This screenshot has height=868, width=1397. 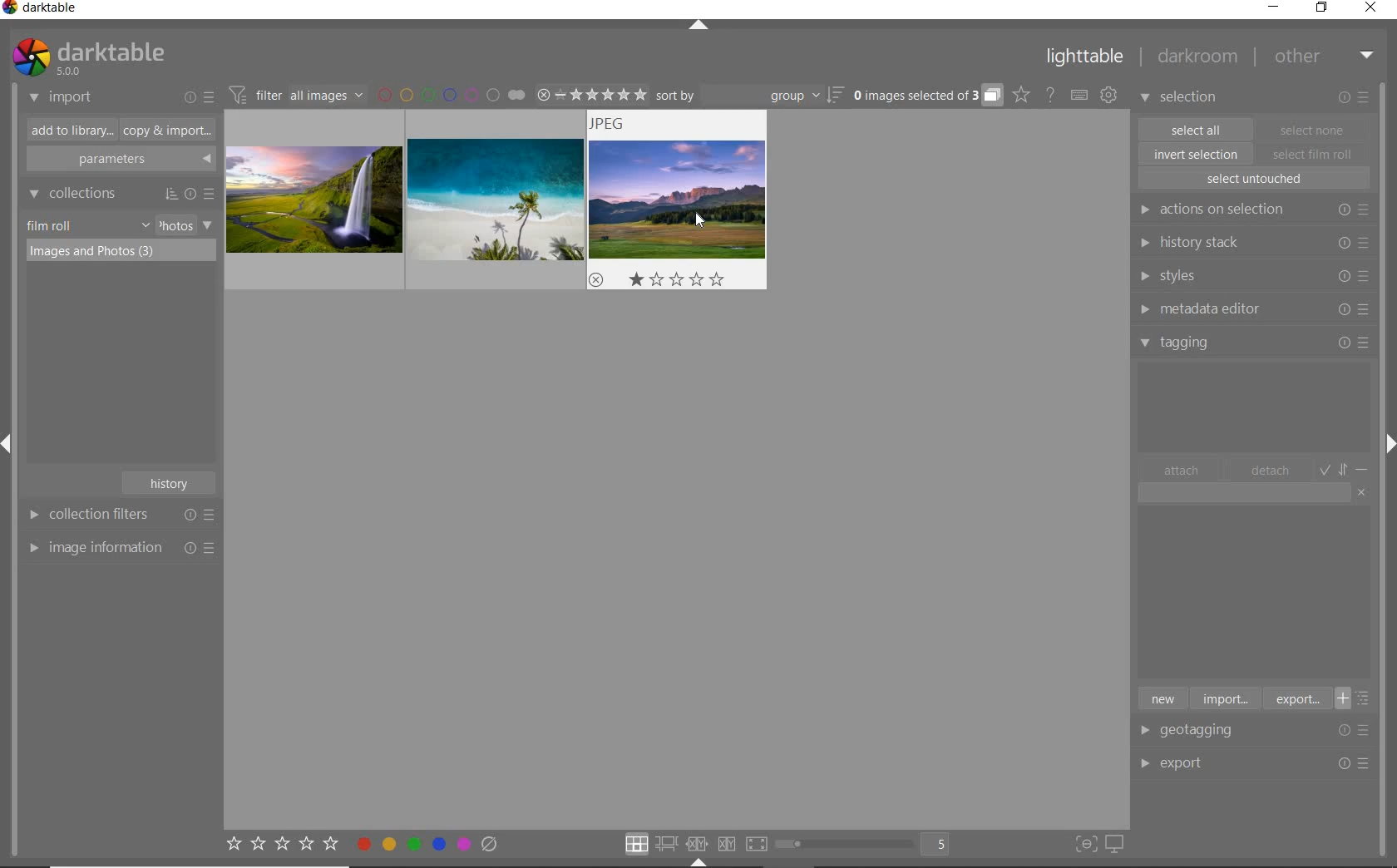 What do you see at coordinates (171, 481) in the screenshot?
I see `history` at bounding box center [171, 481].